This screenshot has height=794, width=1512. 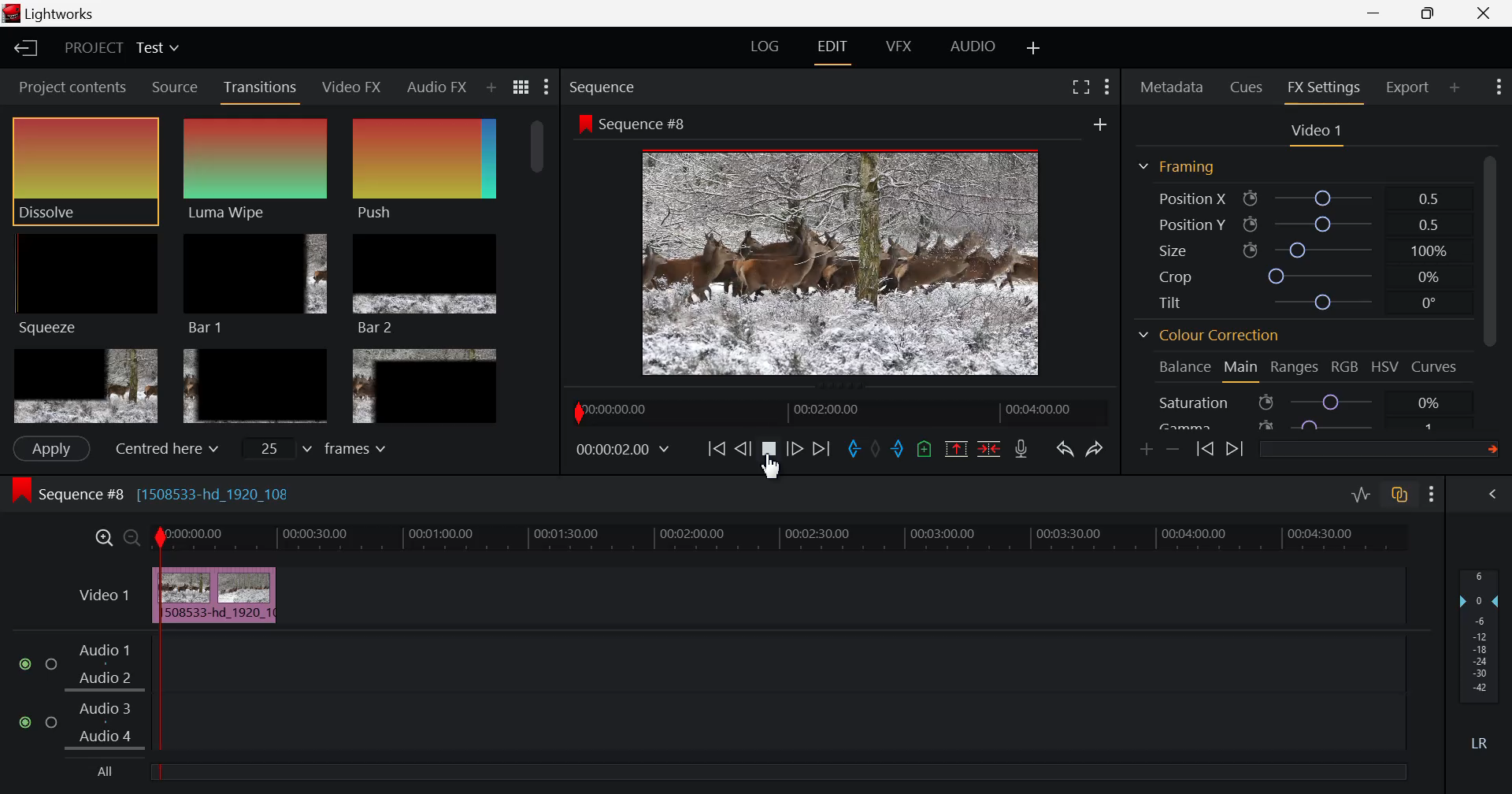 I want to click on Sequence , so click(x=606, y=87).